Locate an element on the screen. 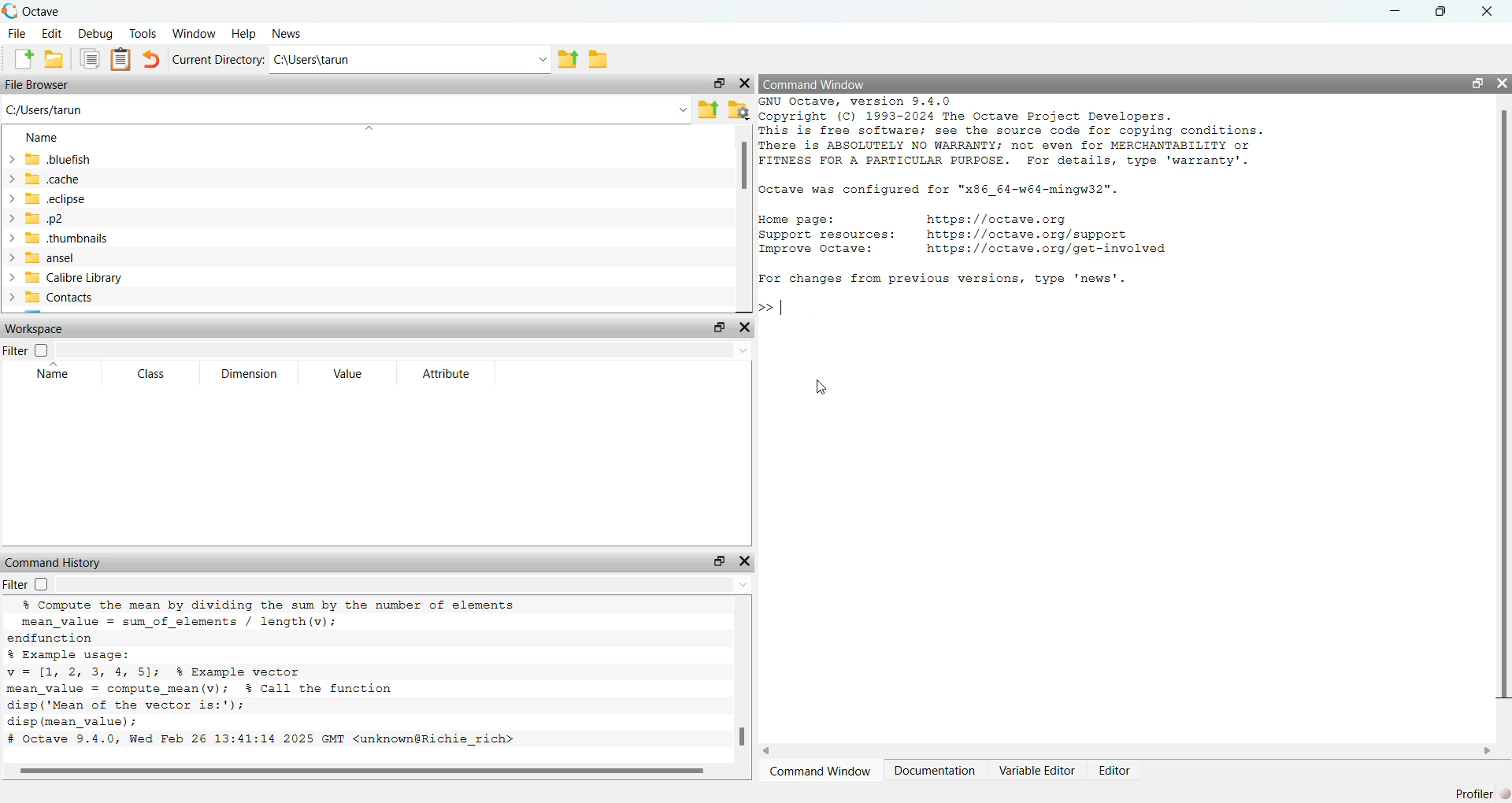 Image resolution: width=1512 pixels, height=803 pixels. share folder is located at coordinates (708, 110).